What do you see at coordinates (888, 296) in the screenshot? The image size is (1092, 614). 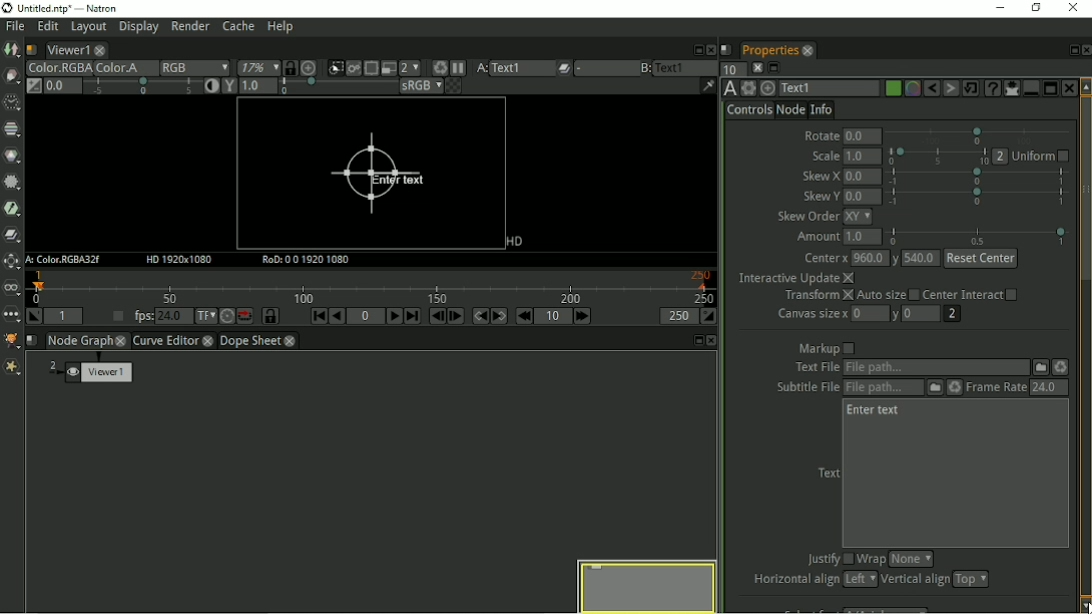 I see `Auto size` at bounding box center [888, 296].